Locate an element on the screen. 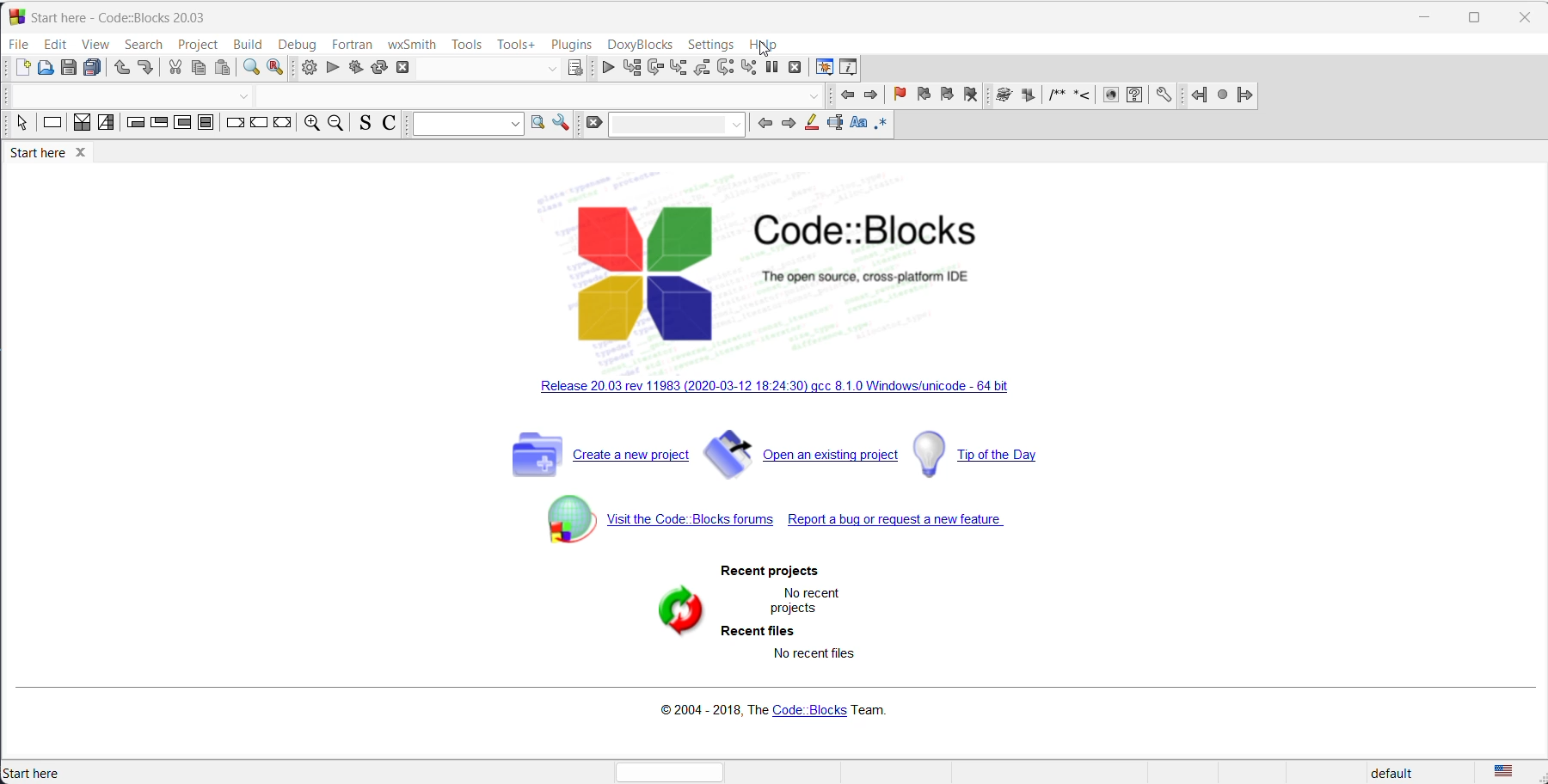  Extract is located at coordinates (1032, 96).